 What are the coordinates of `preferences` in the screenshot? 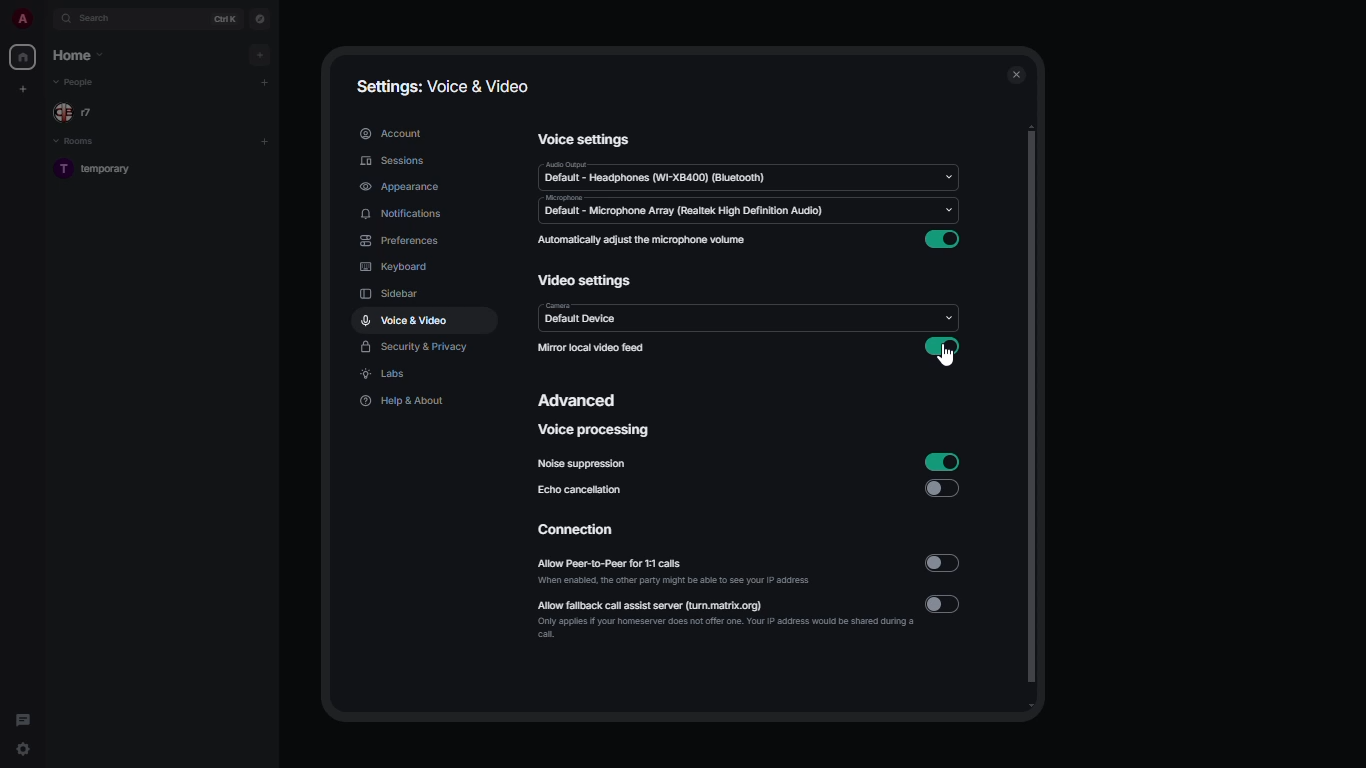 It's located at (399, 240).